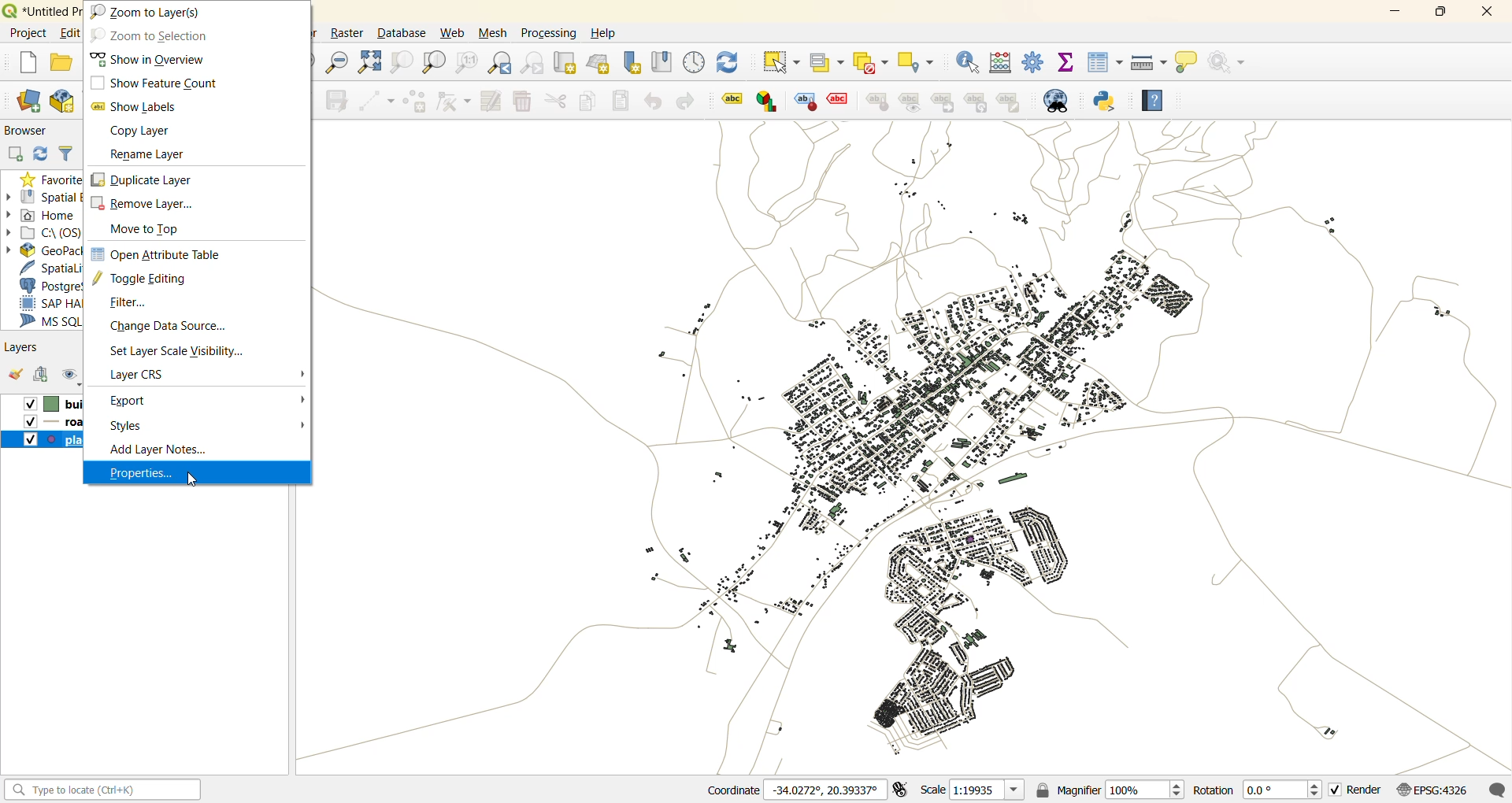 This screenshot has height=803, width=1512. What do you see at coordinates (140, 374) in the screenshot?
I see `crs` at bounding box center [140, 374].